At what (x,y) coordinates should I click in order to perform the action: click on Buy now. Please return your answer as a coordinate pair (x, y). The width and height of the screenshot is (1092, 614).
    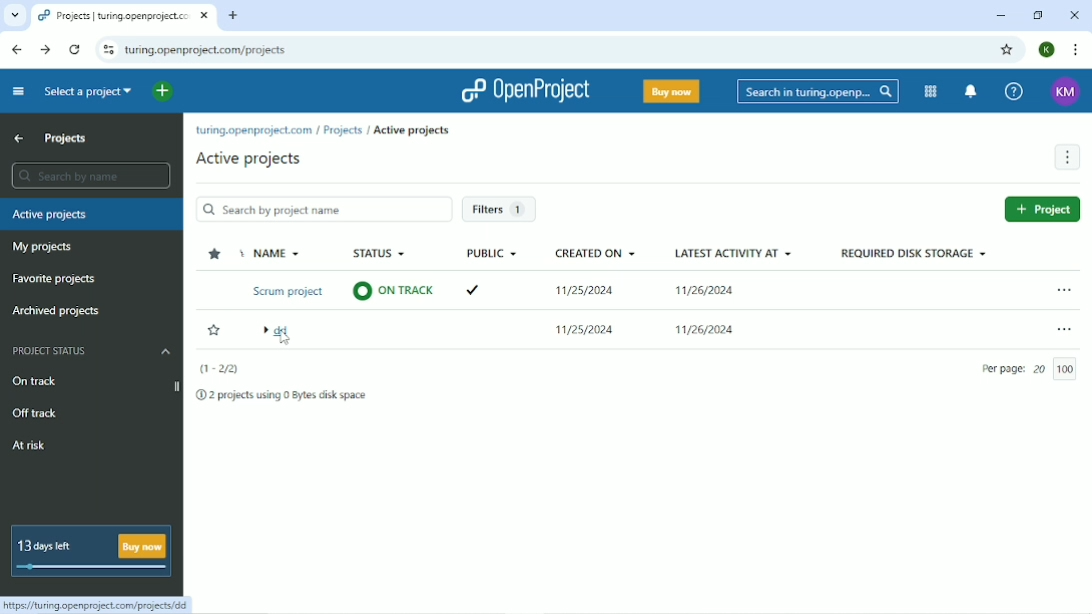
    Looking at the image, I should click on (672, 92).